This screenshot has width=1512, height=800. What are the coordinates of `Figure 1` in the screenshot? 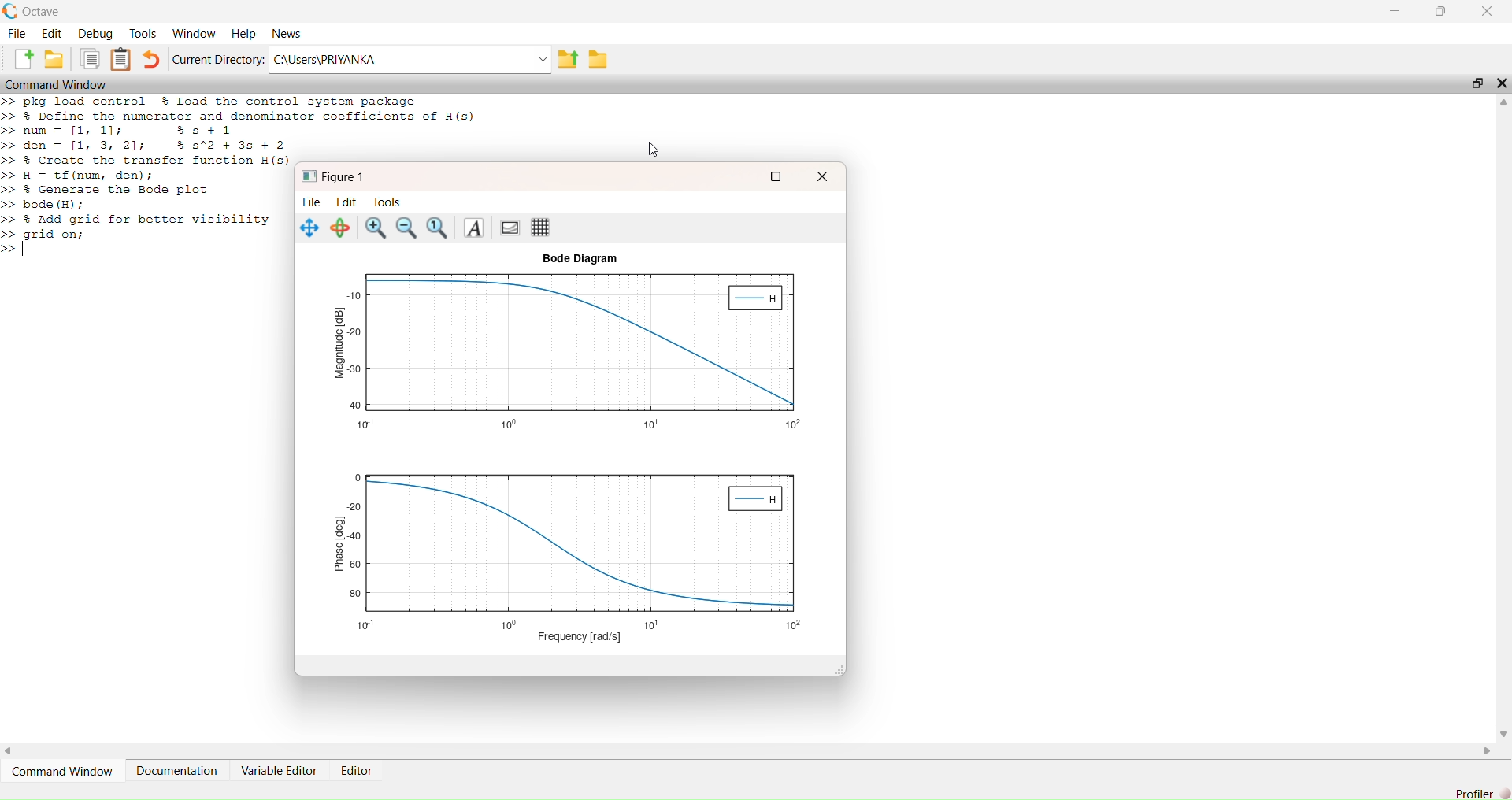 It's located at (336, 176).